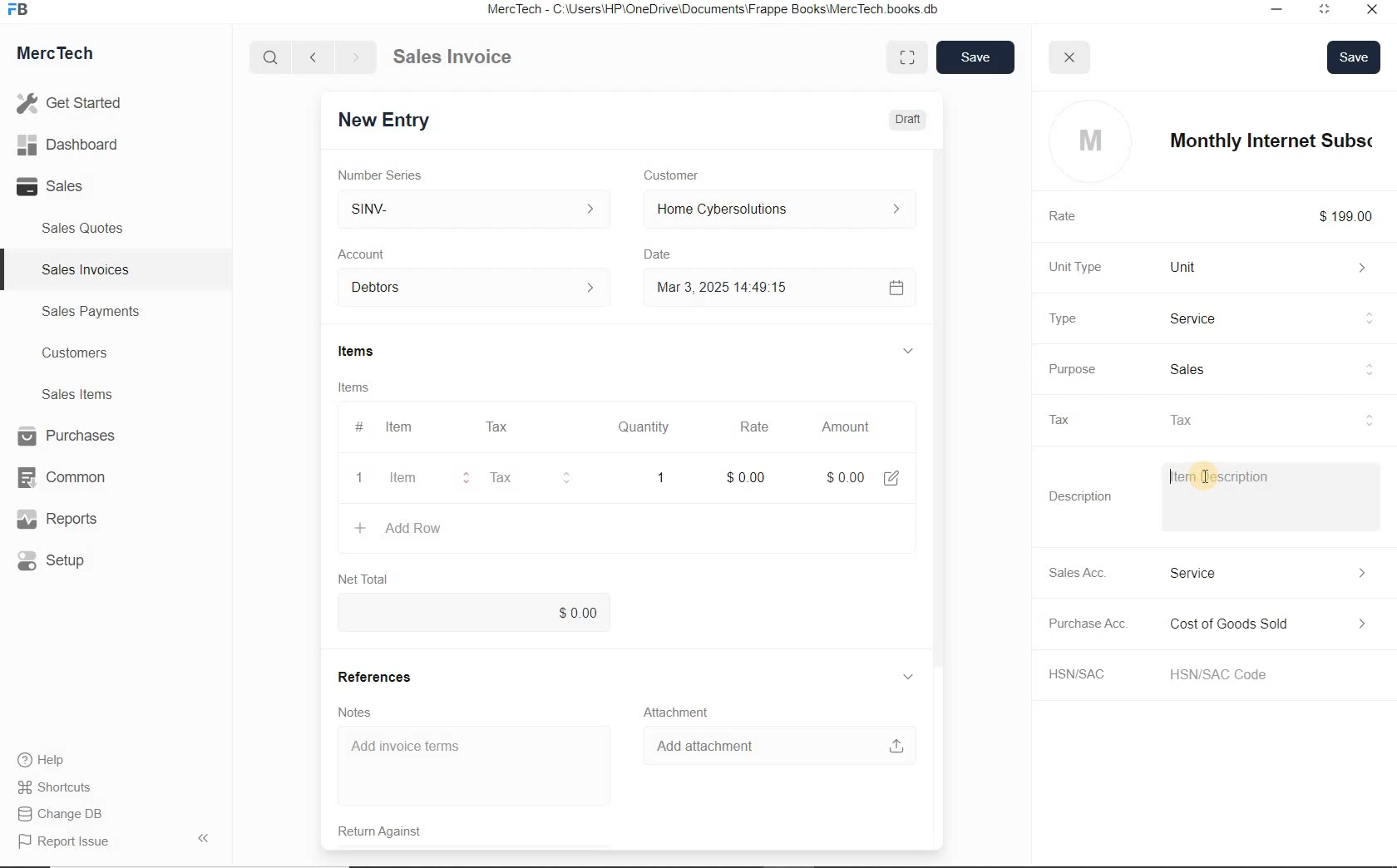  Describe the element at coordinates (88, 394) in the screenshot. I see `Sales Items` at that location.